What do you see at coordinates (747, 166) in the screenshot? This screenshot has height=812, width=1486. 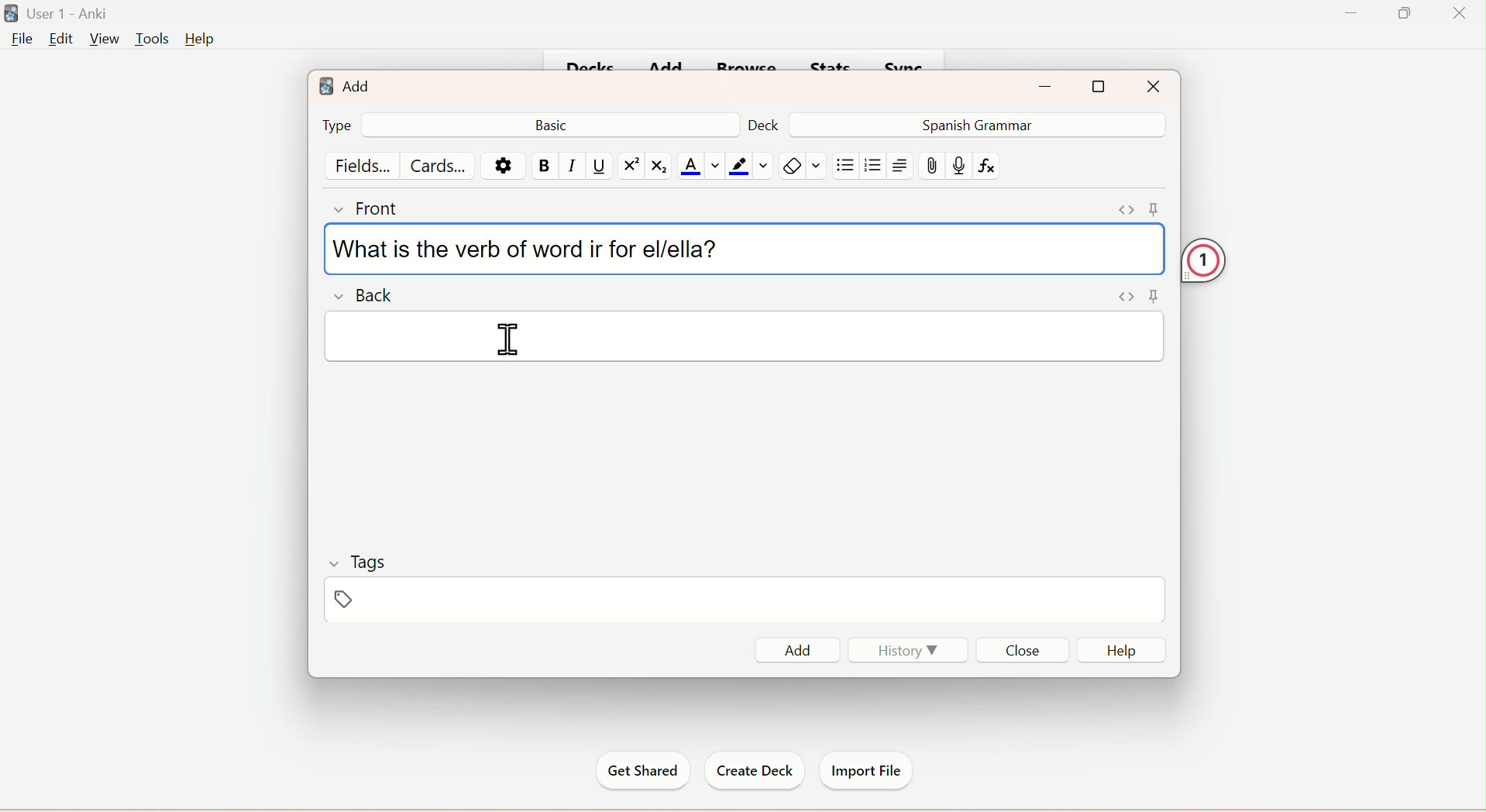 I see `color` at bounding box center [747, 166].